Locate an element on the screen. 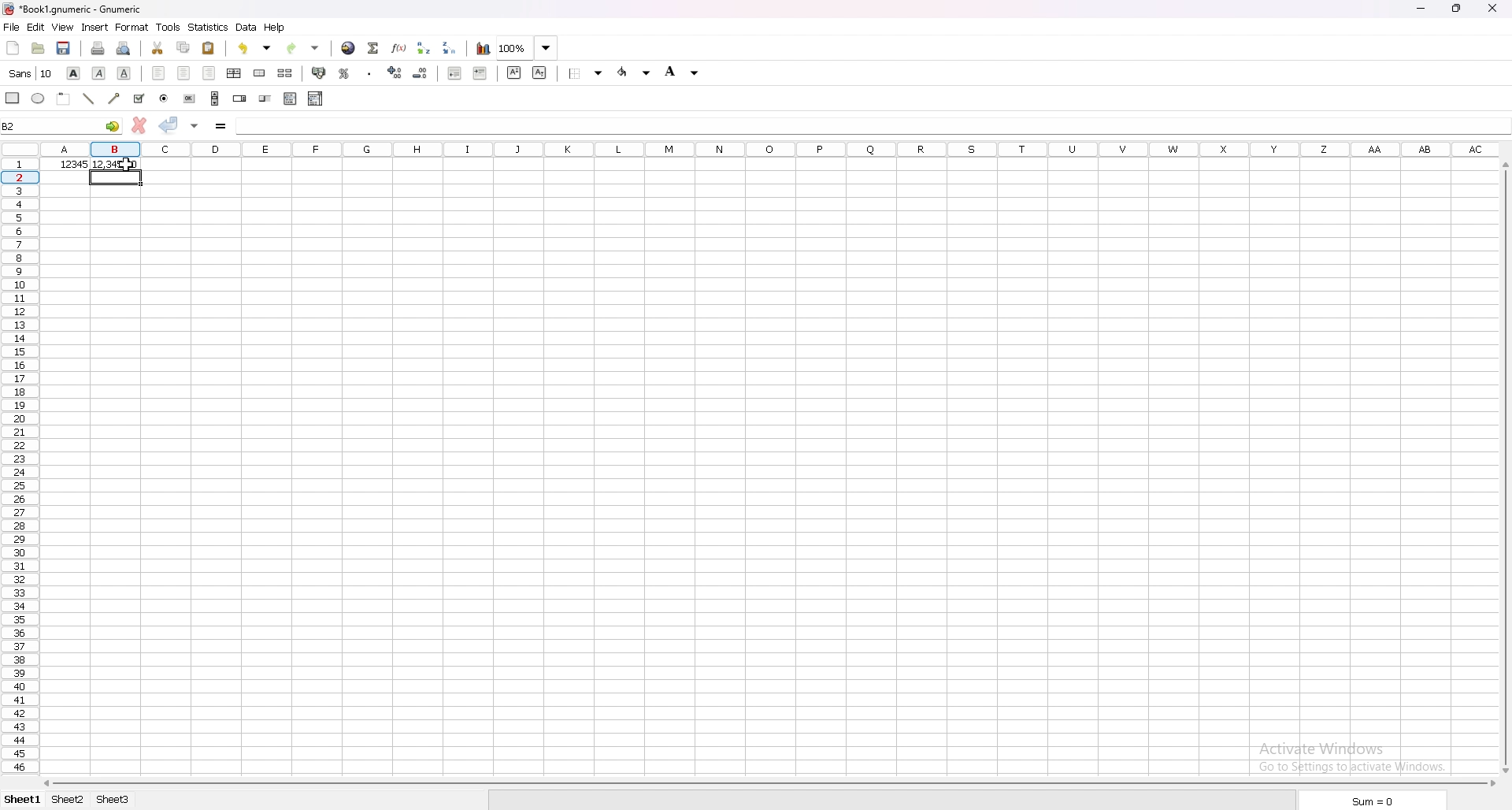 The height and width of the screenshot is (810, 1512). tools is located at coordinates (169, 27).